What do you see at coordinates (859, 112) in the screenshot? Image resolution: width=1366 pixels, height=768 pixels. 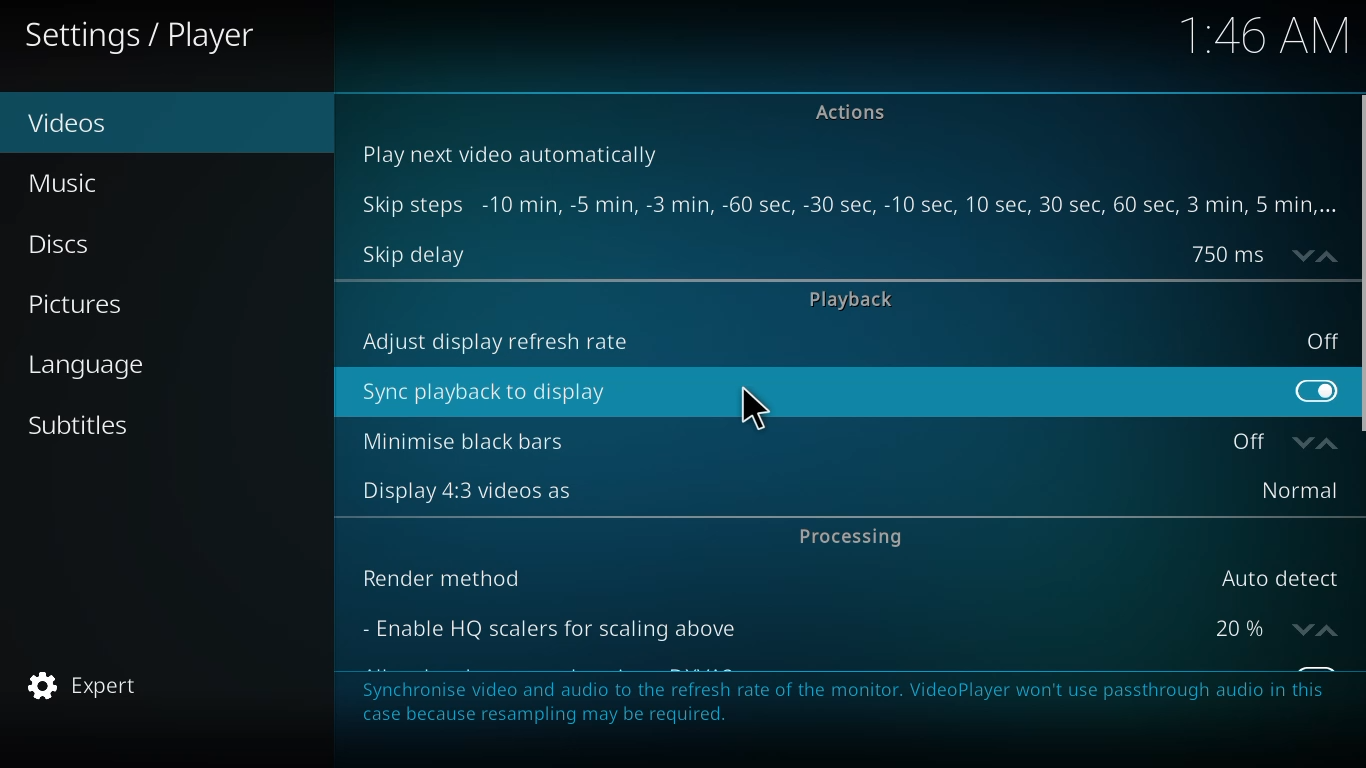 I see `actions` at bounding box center [859, 112].